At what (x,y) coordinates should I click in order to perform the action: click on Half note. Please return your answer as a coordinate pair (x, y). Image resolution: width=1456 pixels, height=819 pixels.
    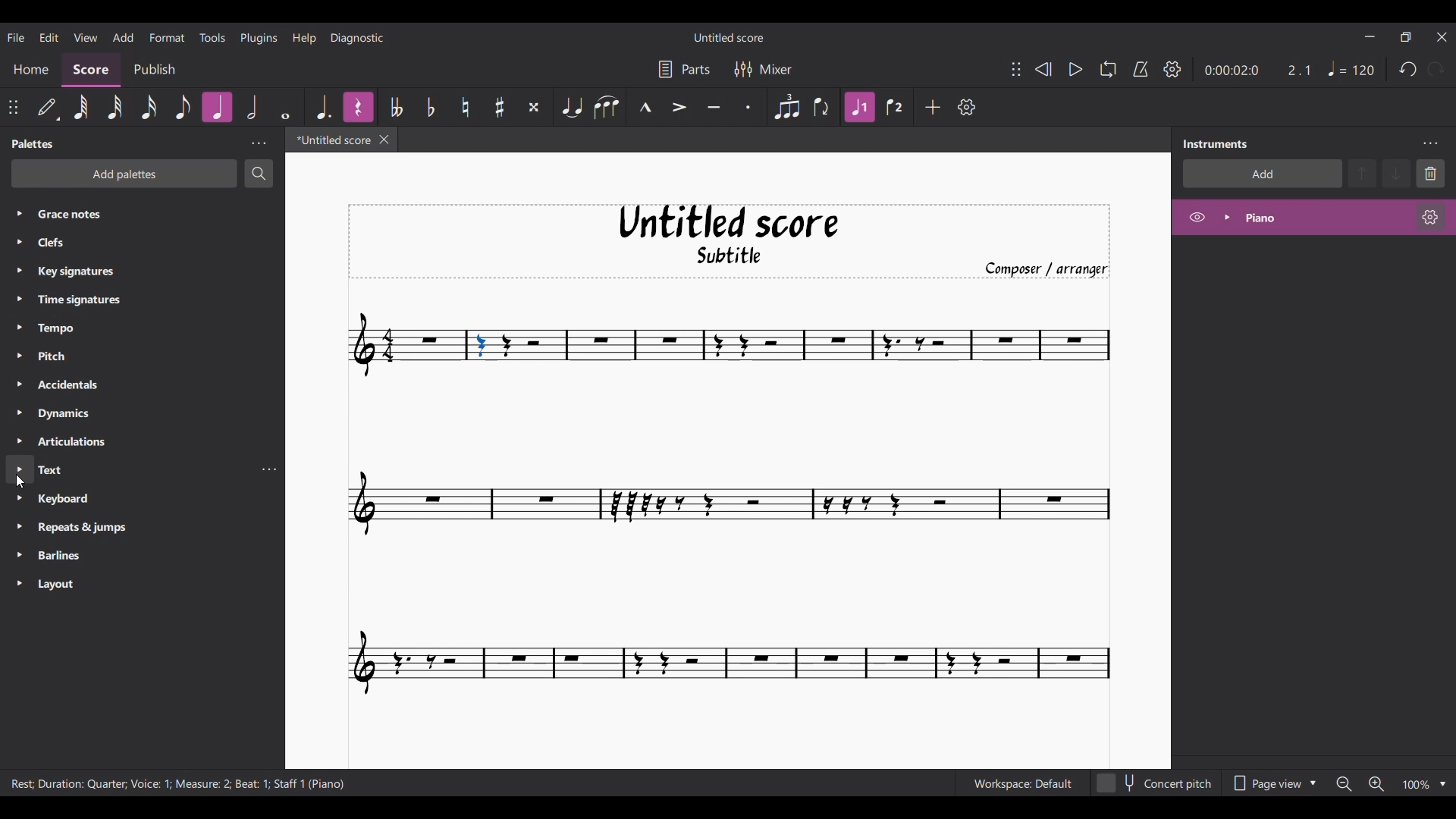
    Looking at the image, I should click on (252, 107).